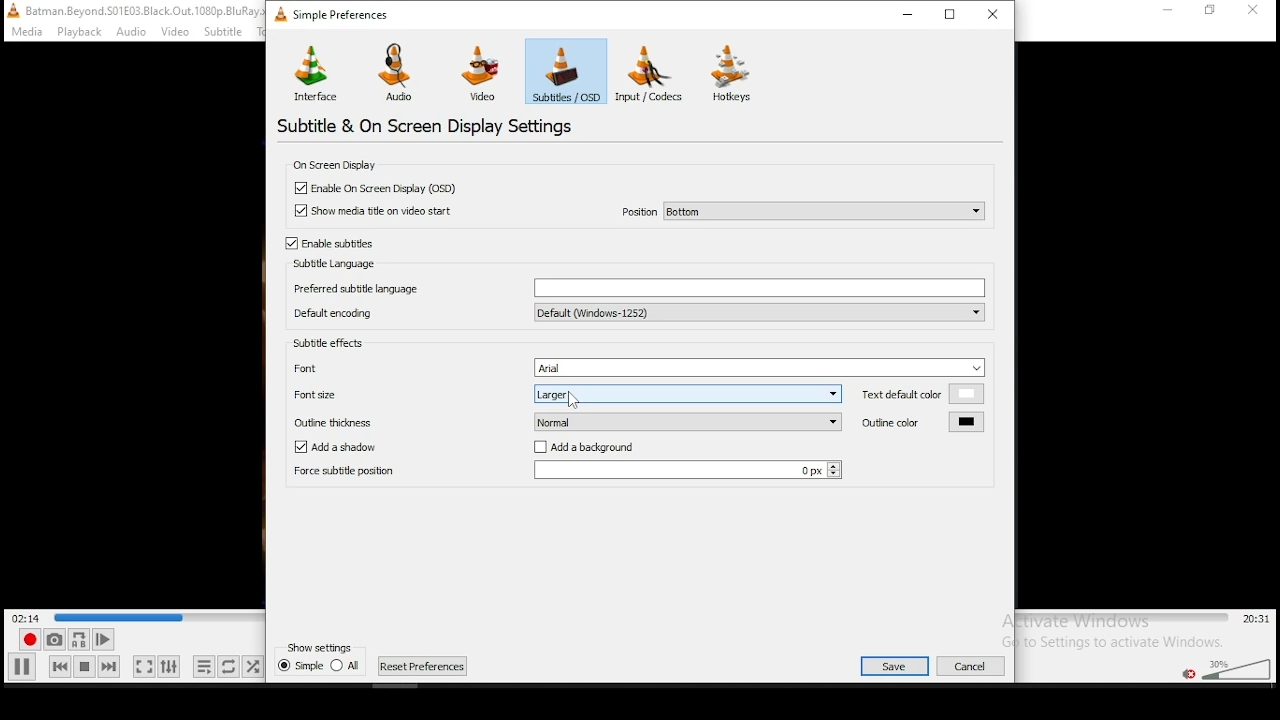  I want to click on elapsed time, so click(28, 617).